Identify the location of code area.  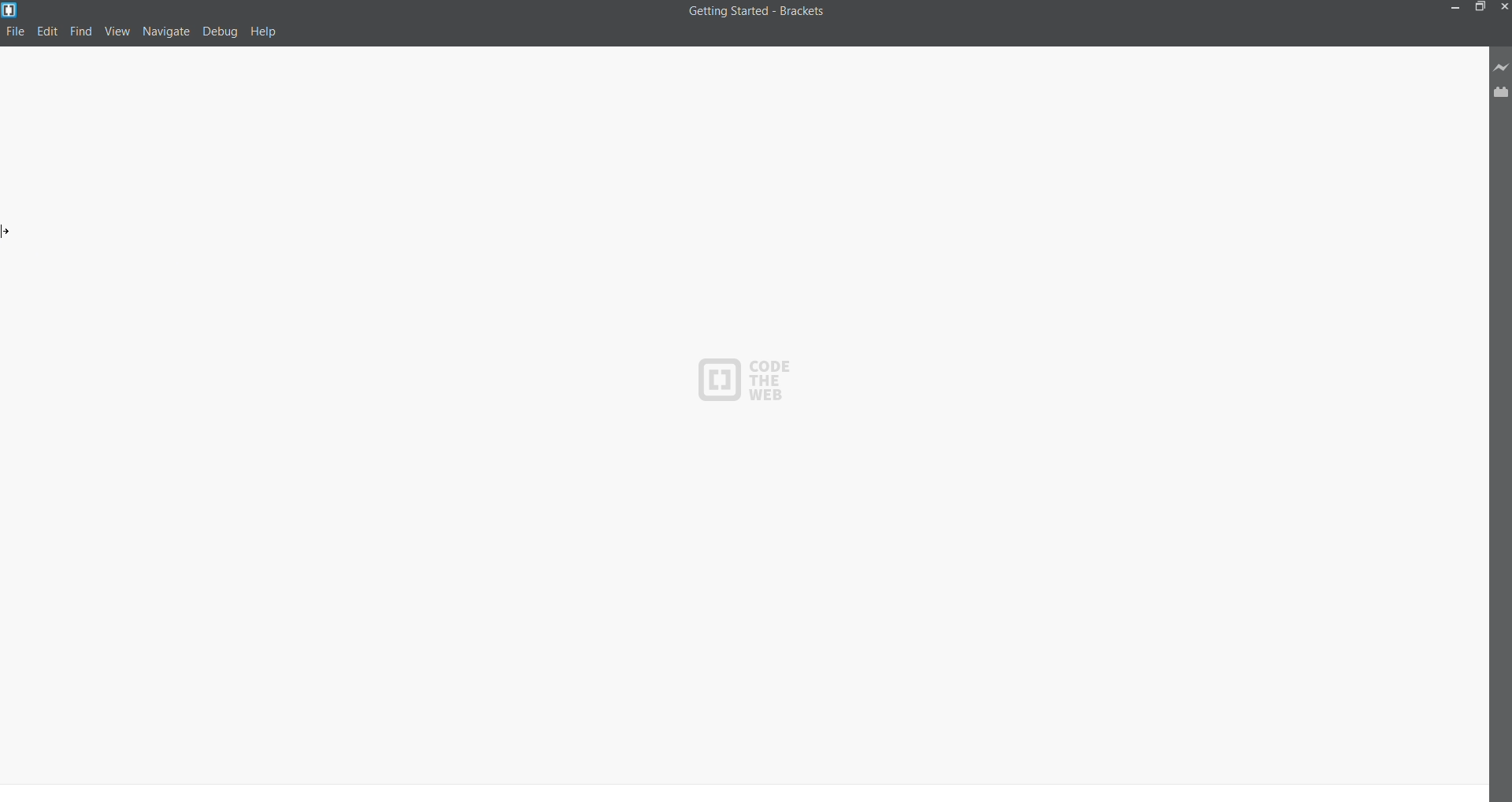
(754, 426).